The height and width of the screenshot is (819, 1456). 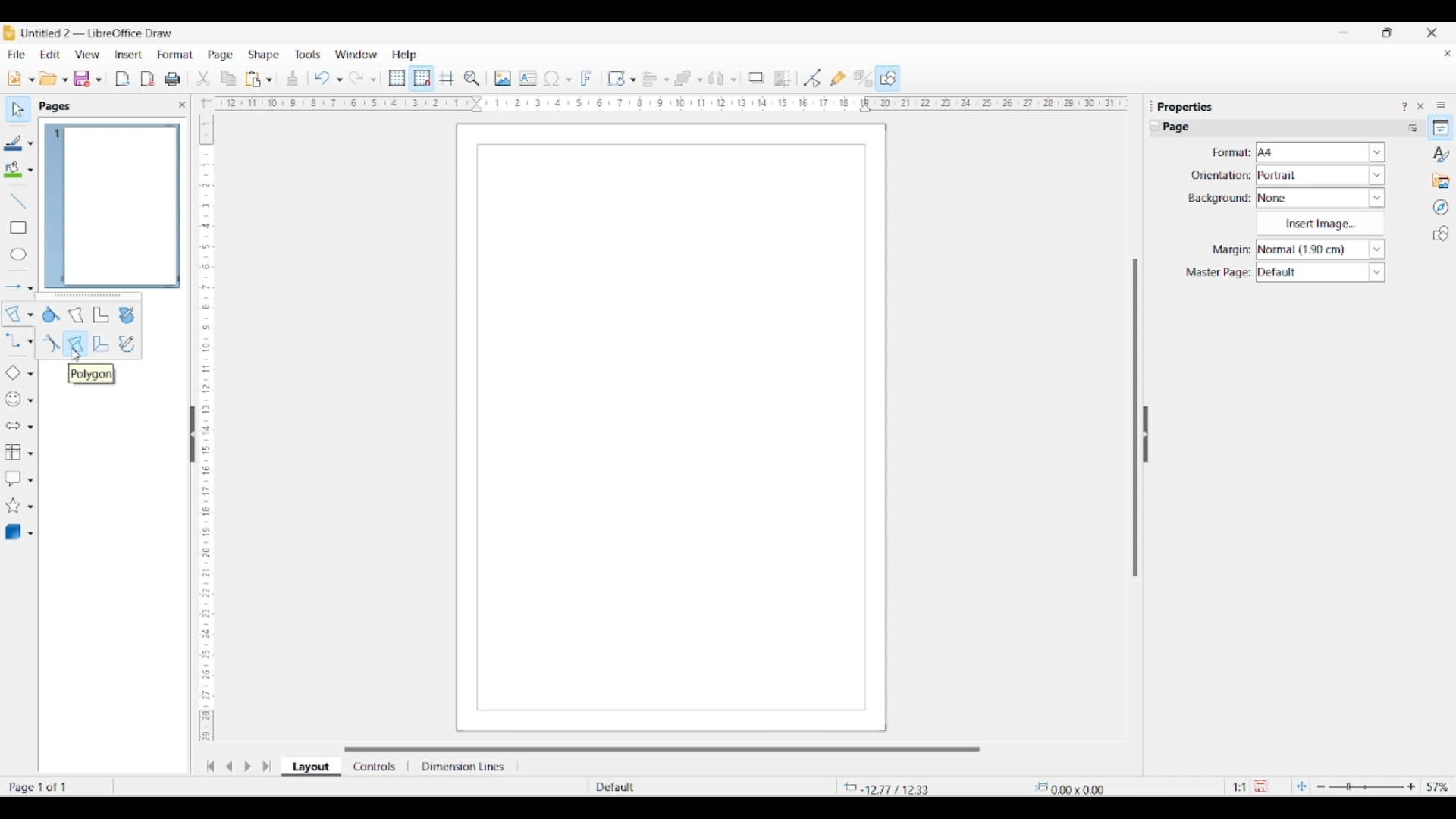 I want to click on Polygon, filled, so click(x=77, y=314).